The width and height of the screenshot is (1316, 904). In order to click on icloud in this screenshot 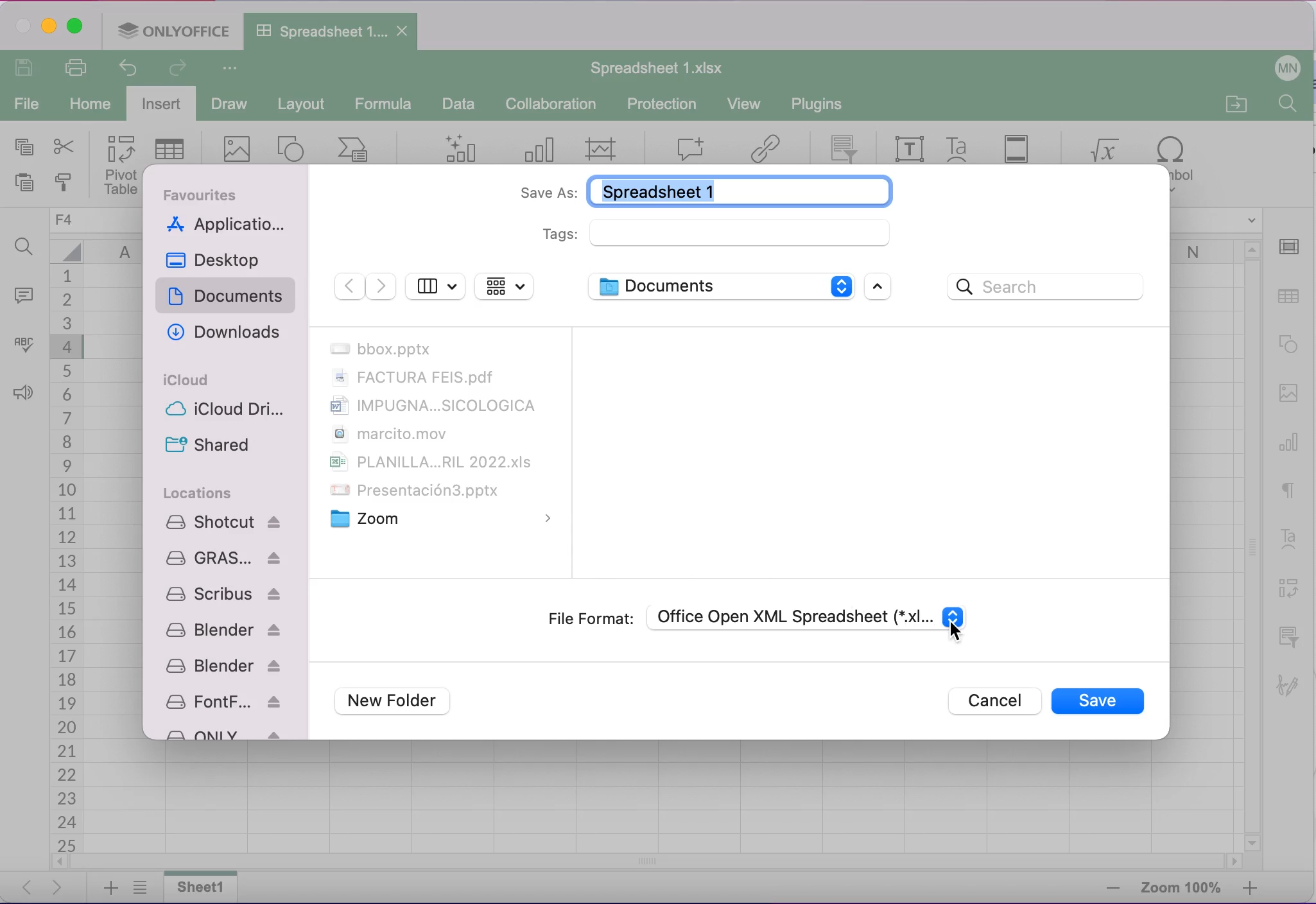, I will do `click(188, 380)`.